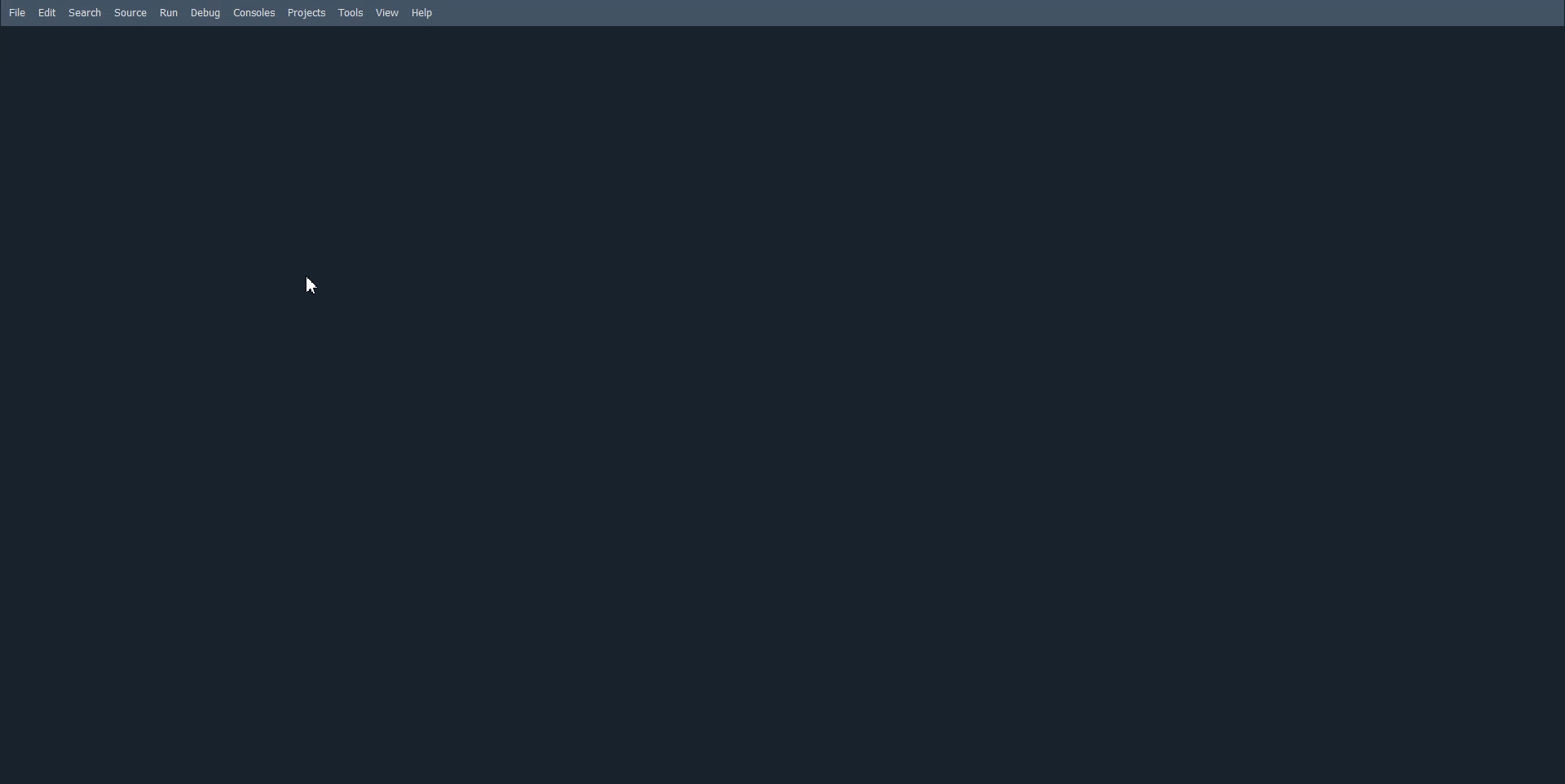 Image resolution: width=1565 pixels, height=784 pixels. Describe the element at coordinates (253, 12) in the screenshot. I see `Consoles` at that location.